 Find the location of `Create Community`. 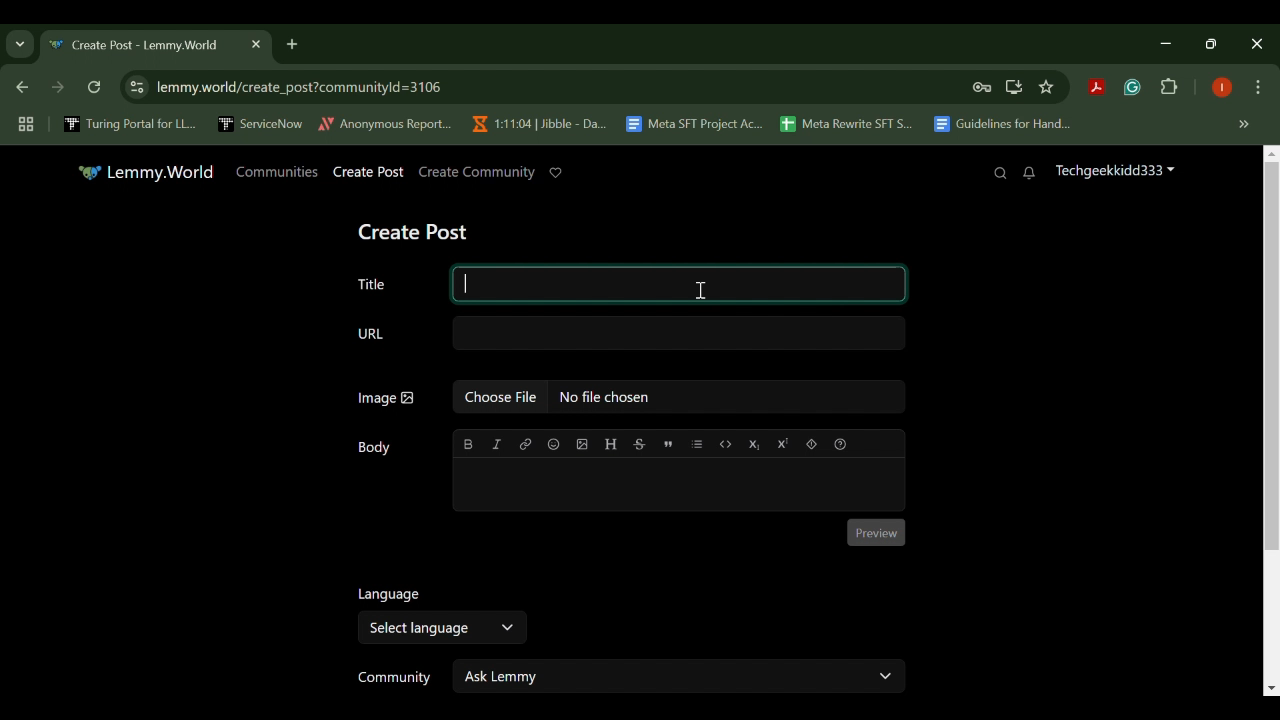

Create Community is located at coordinates (475, 172).